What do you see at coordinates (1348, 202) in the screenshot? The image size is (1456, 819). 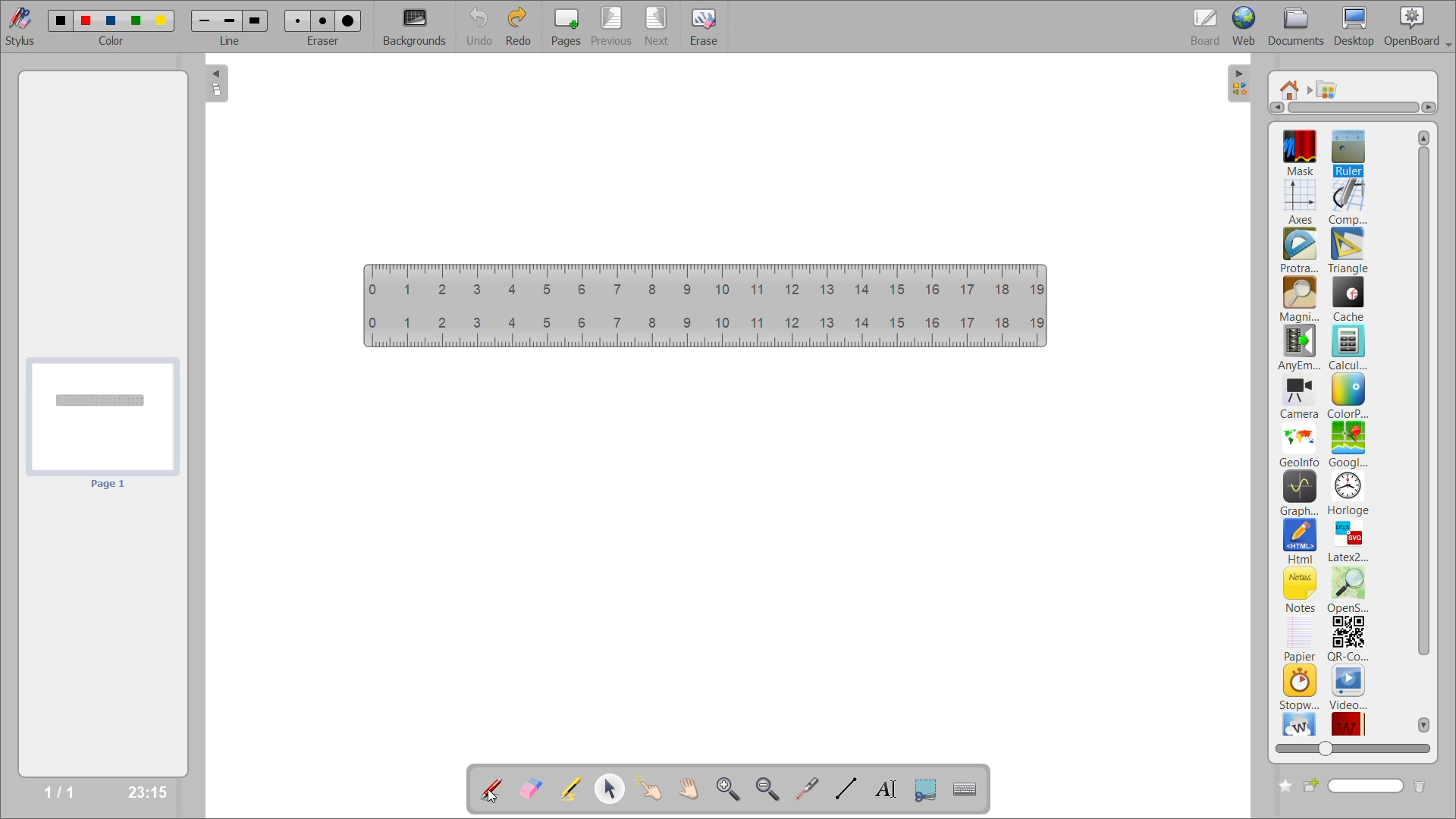 I see `compass` at bounding box center [1348, 202].